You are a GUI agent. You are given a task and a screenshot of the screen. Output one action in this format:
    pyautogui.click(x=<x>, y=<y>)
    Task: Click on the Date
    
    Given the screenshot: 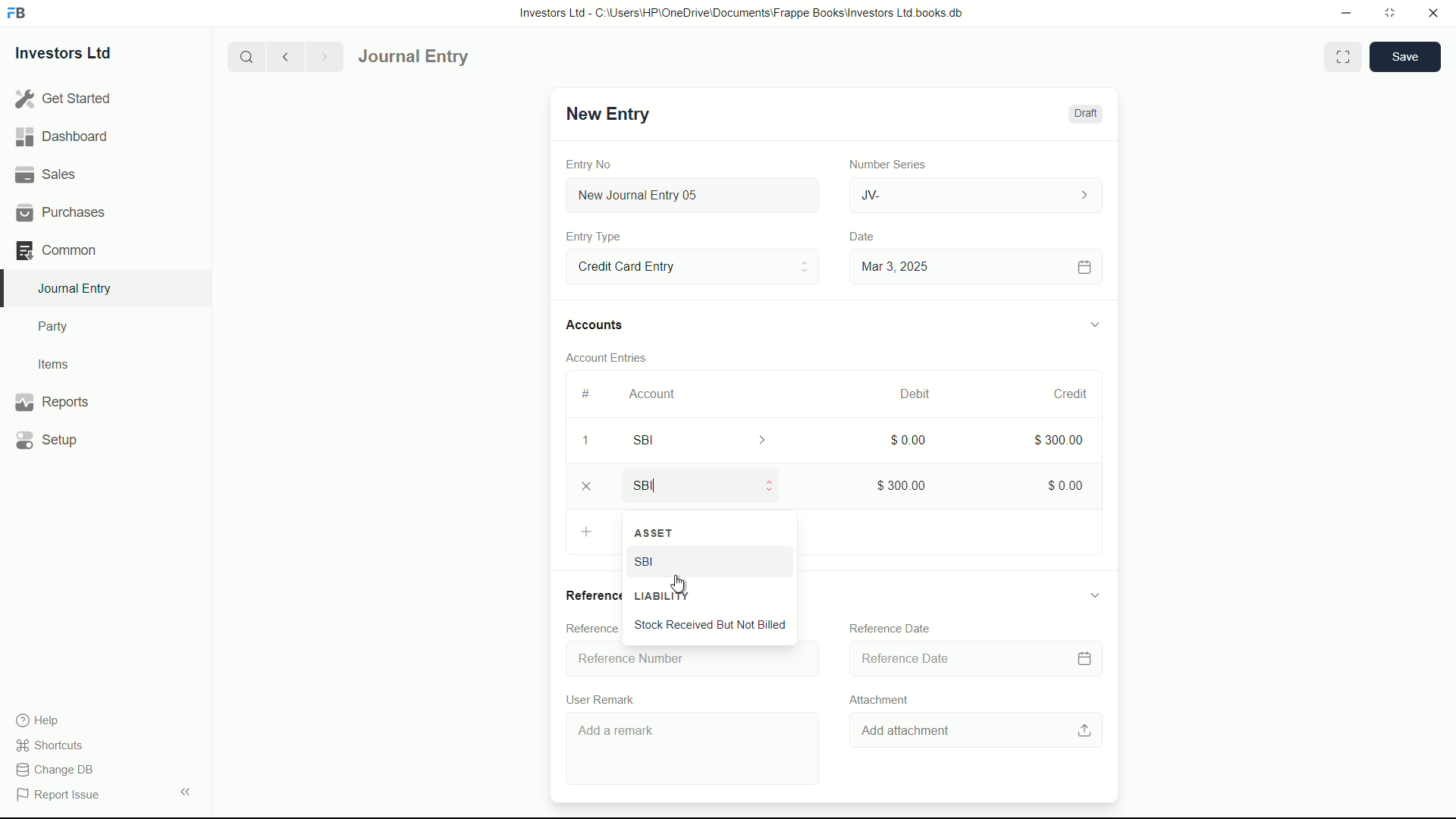 What is the action you would take?
    pyautogui.click(x=864, y=237)
    